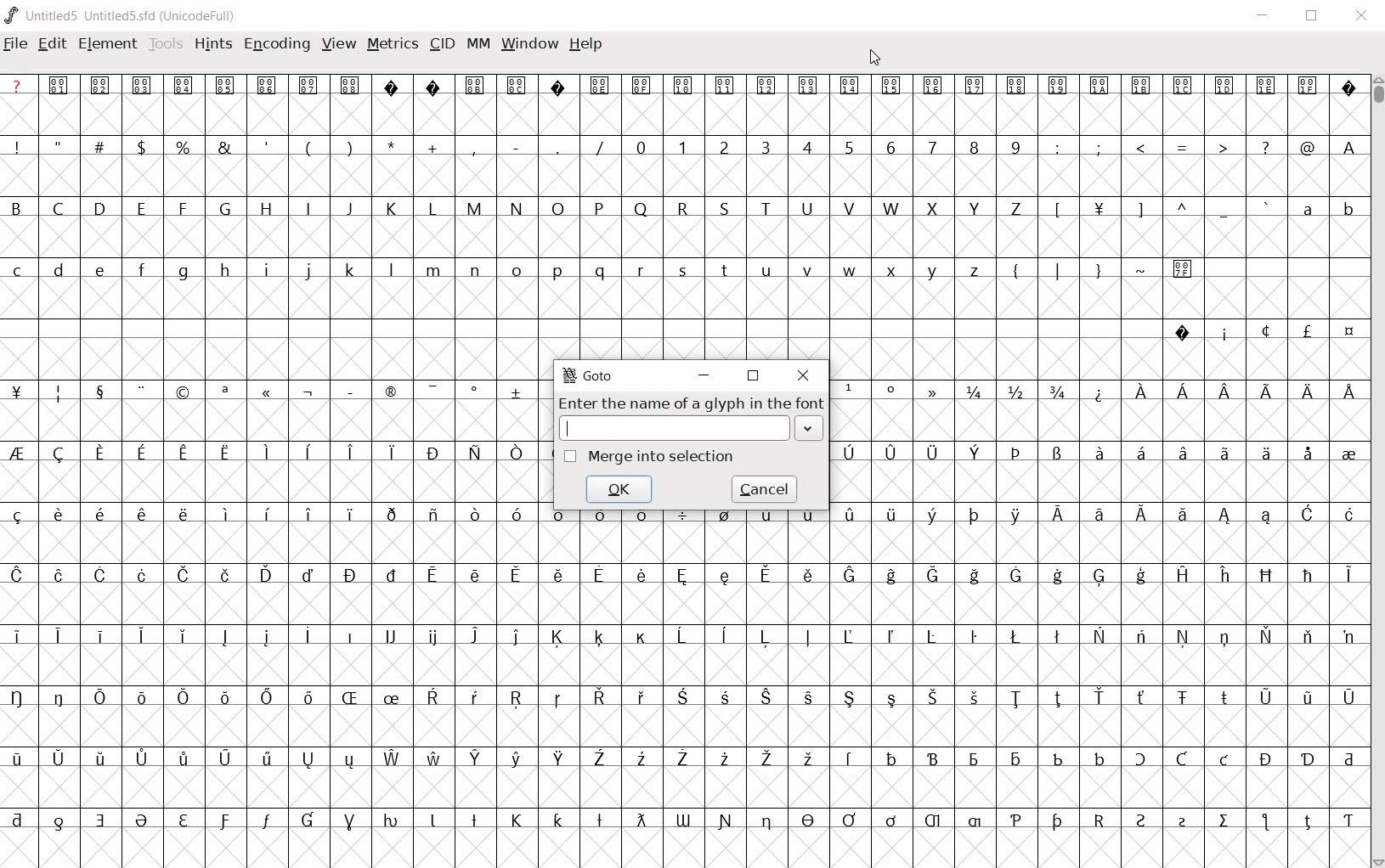 Image resolution: width=1385 pixels, height=868 pixels. What do you see at coordinates (1181, 210) in the screenshot?
I see `^` at bounding box center [1181, 210].